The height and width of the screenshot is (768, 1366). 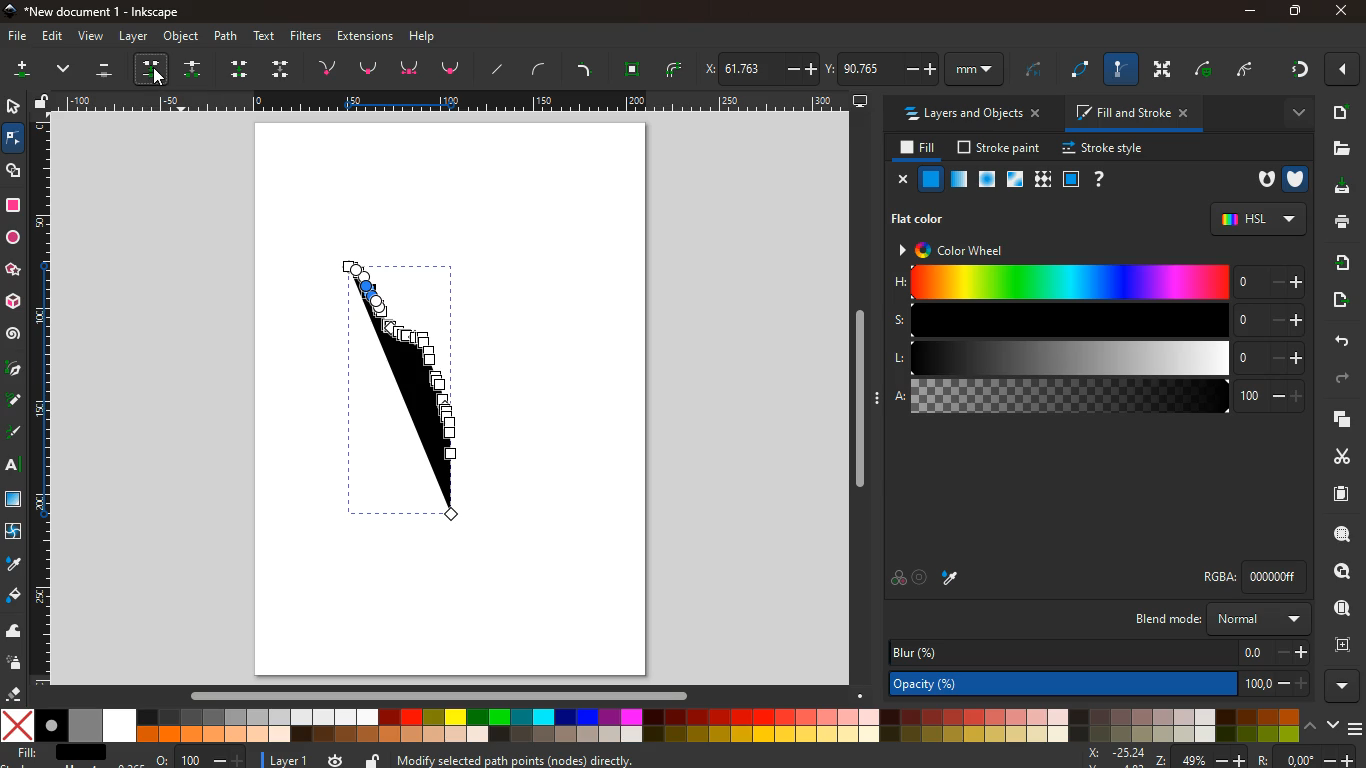 What do you see at coordinates (633, 67) in the screenshot?
I see `waure` at bounding box center [633, 67].